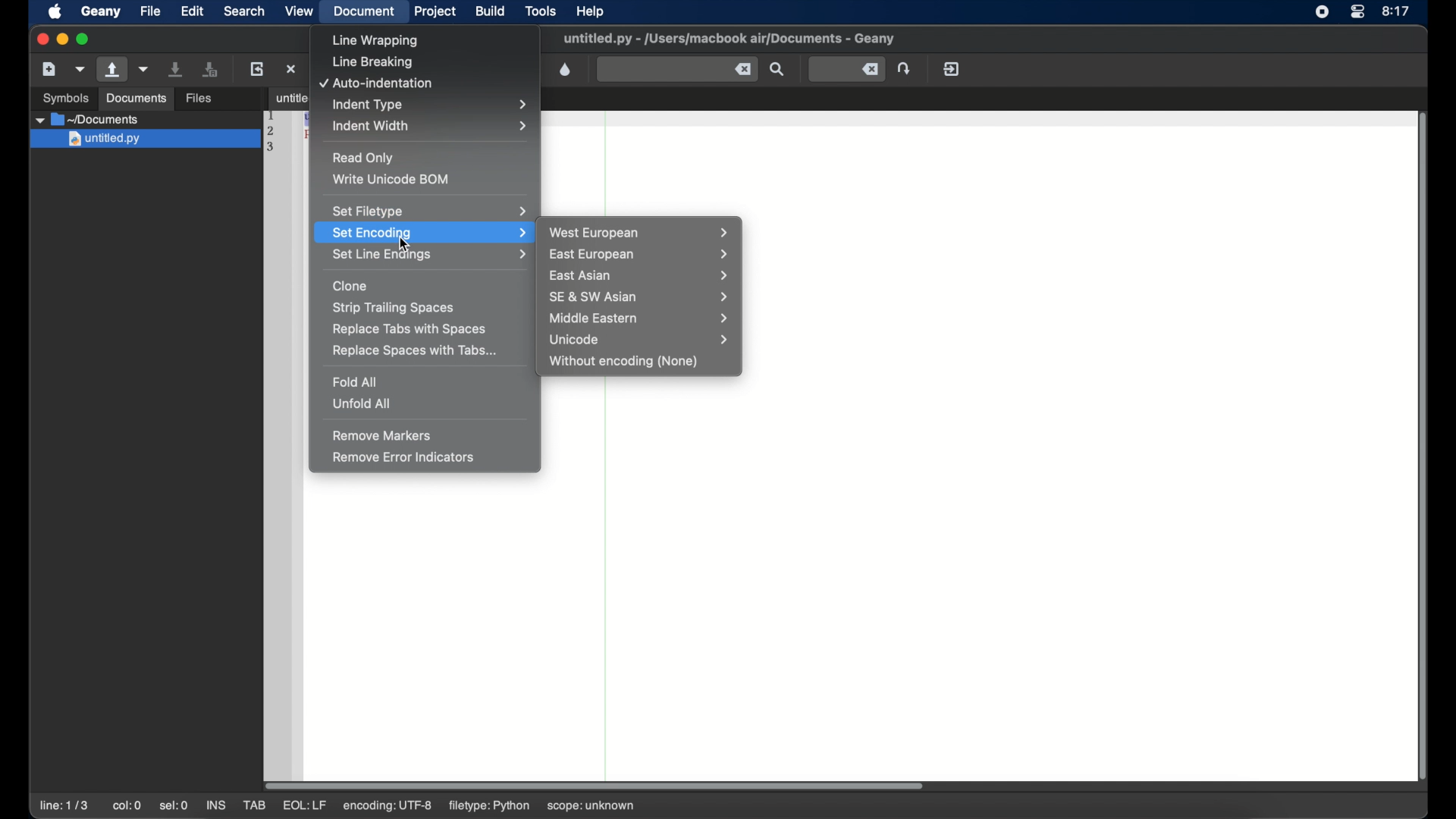 The height and width of the screenshot is (819, 1456). Describe the element at coordinates (393, 179) in the screenshot. I see `write unicode bom` at that location.